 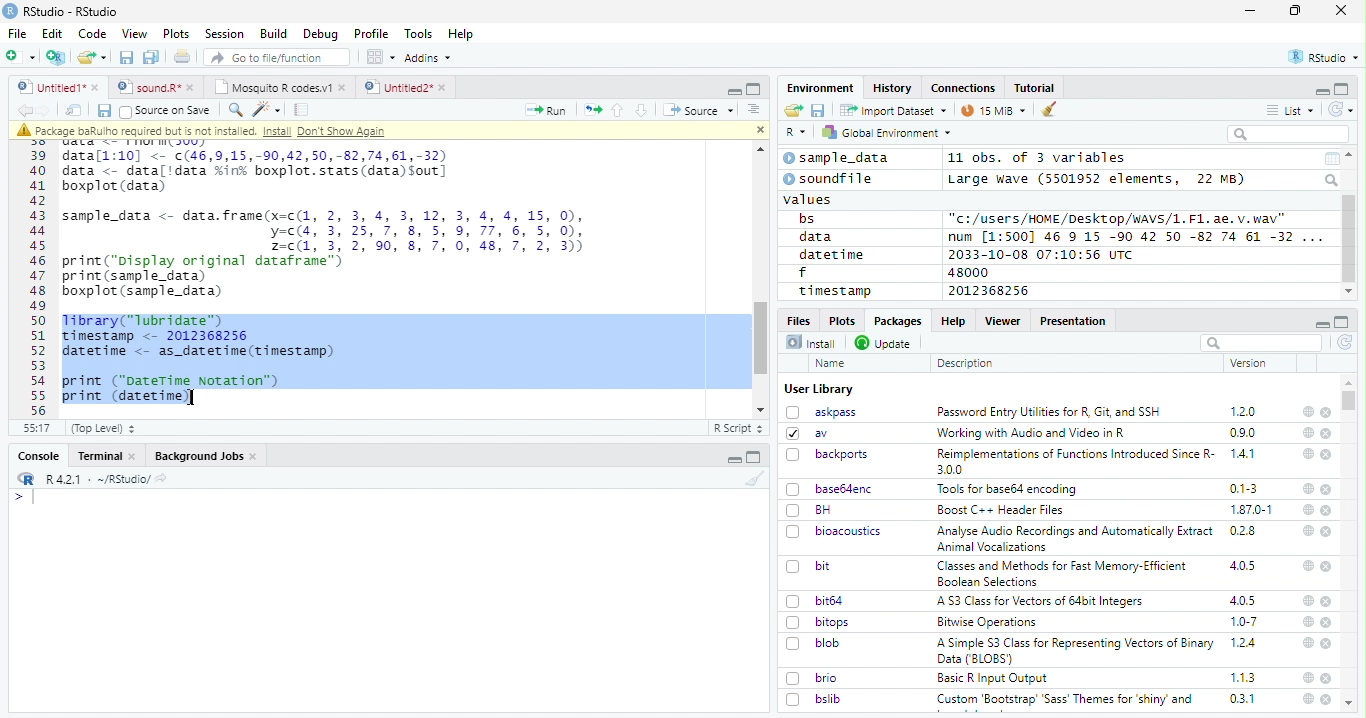 What do you see at coordinates (814, 698) in the screenshot?
I see `bslib` at bounding box center [814, 698].